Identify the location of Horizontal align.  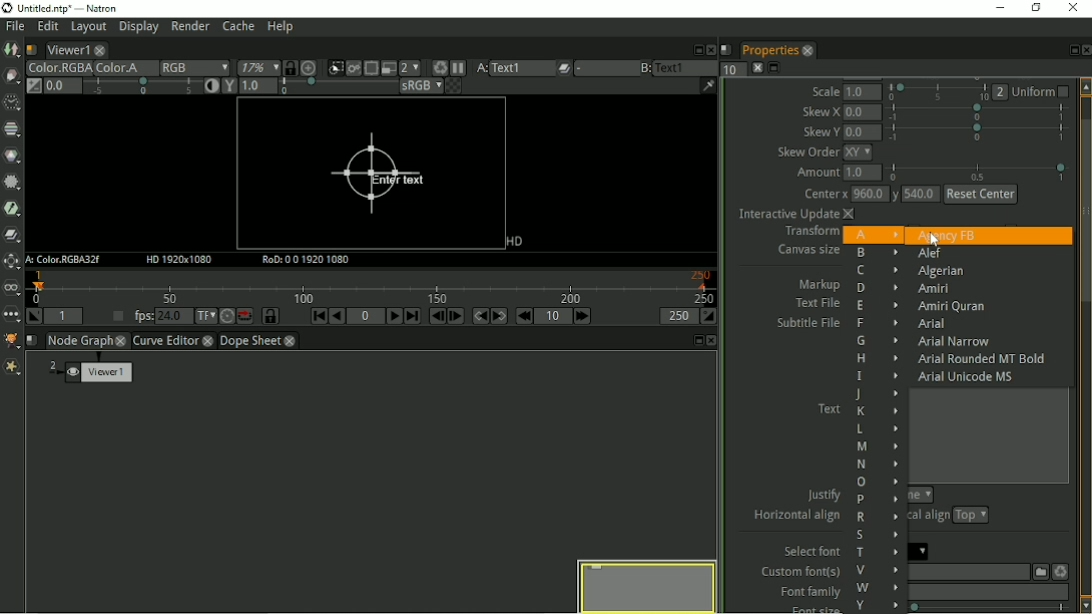
(795, 518).